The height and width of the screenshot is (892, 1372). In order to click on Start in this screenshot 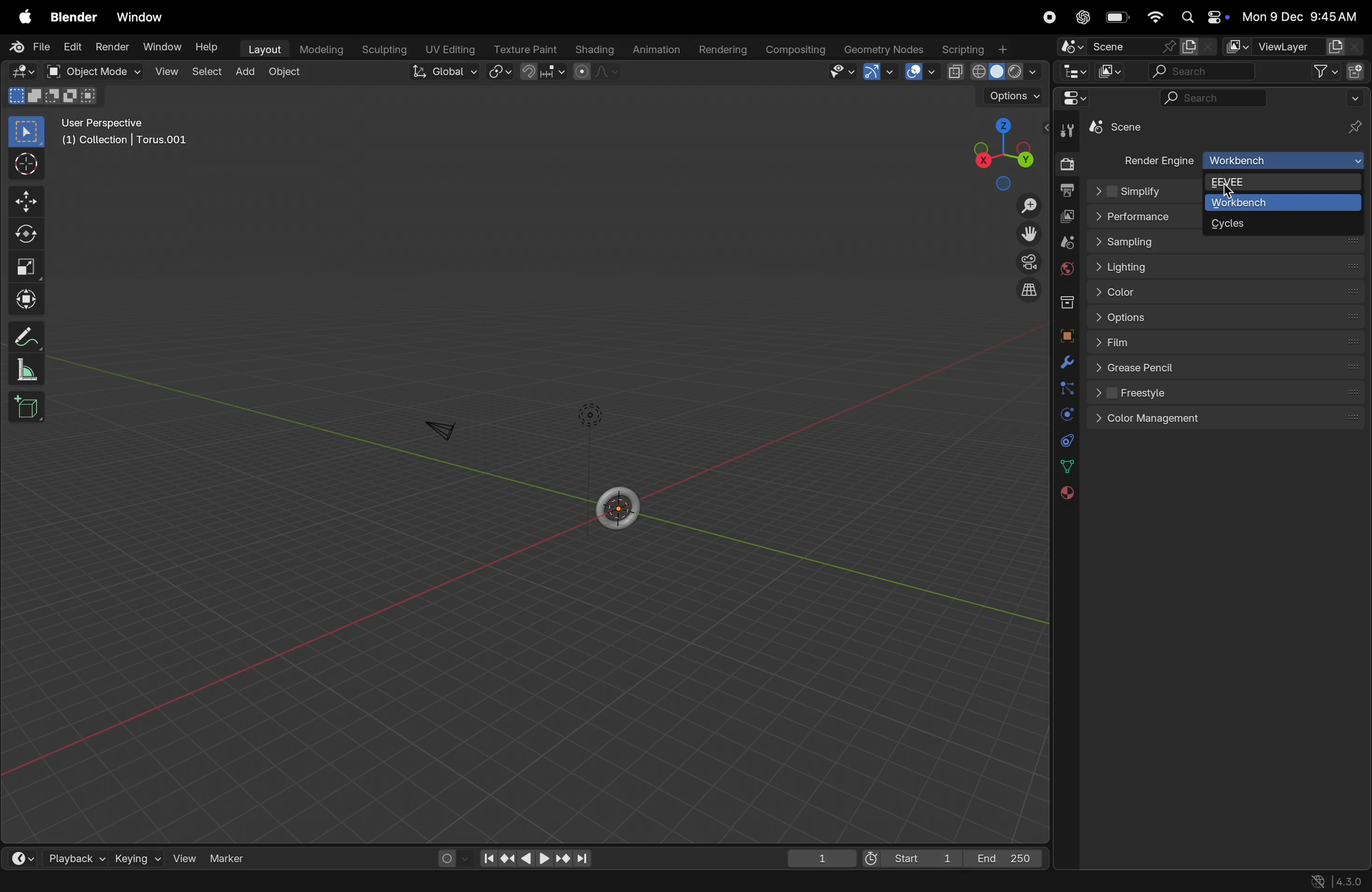, I will do `click(909, 857)`.